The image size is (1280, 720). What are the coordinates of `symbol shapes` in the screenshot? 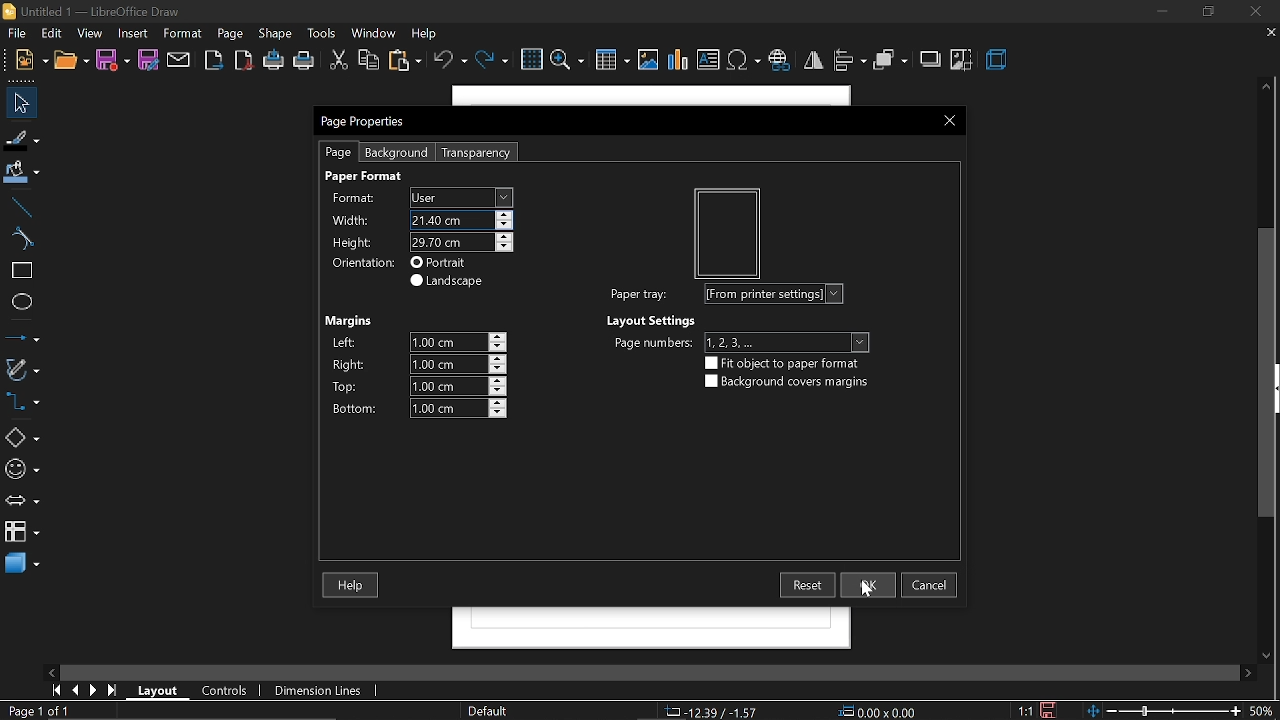 It's located at (22, 472).